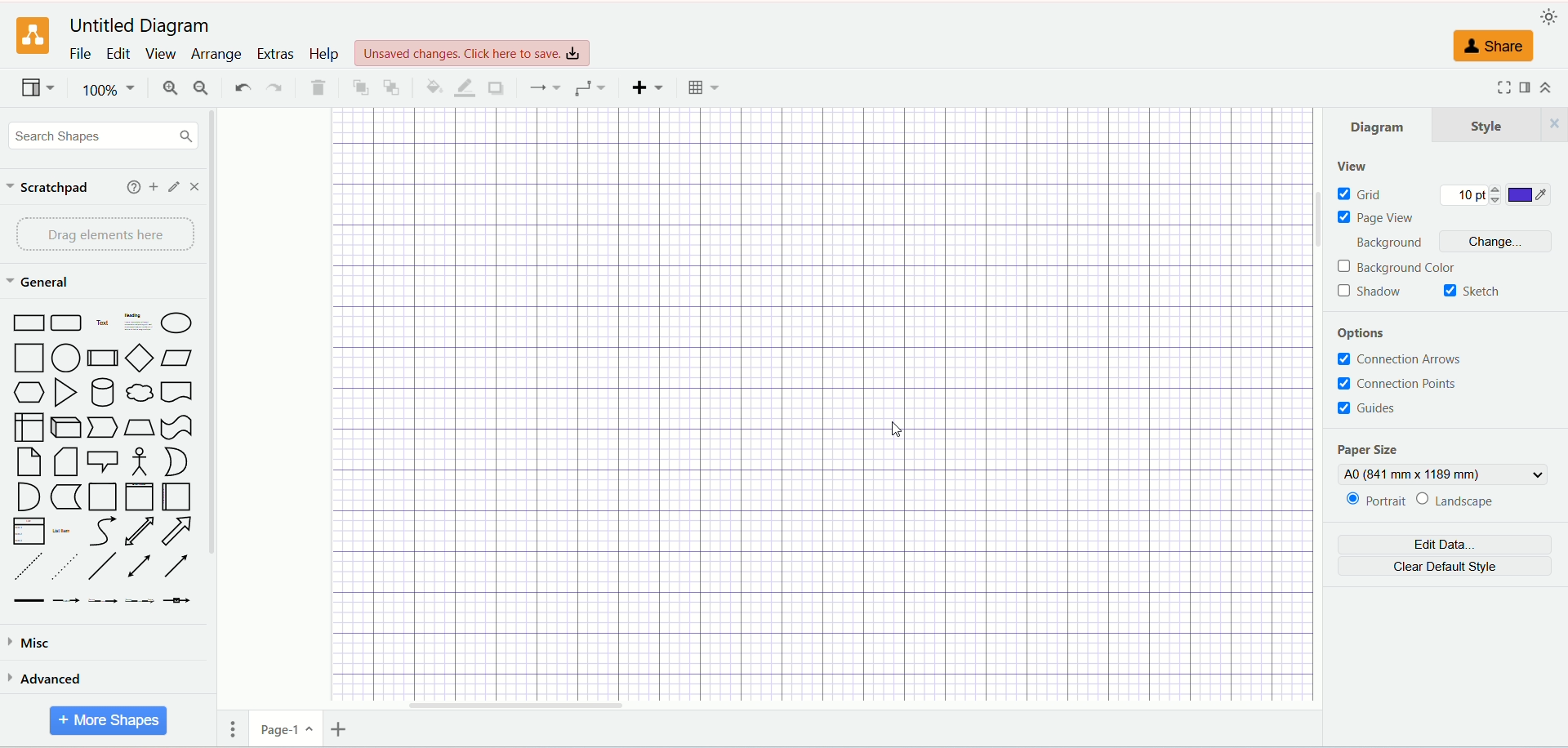  Describe the element at coordinates (1370, 292) in the screenshot. I see `shadow` at that location.